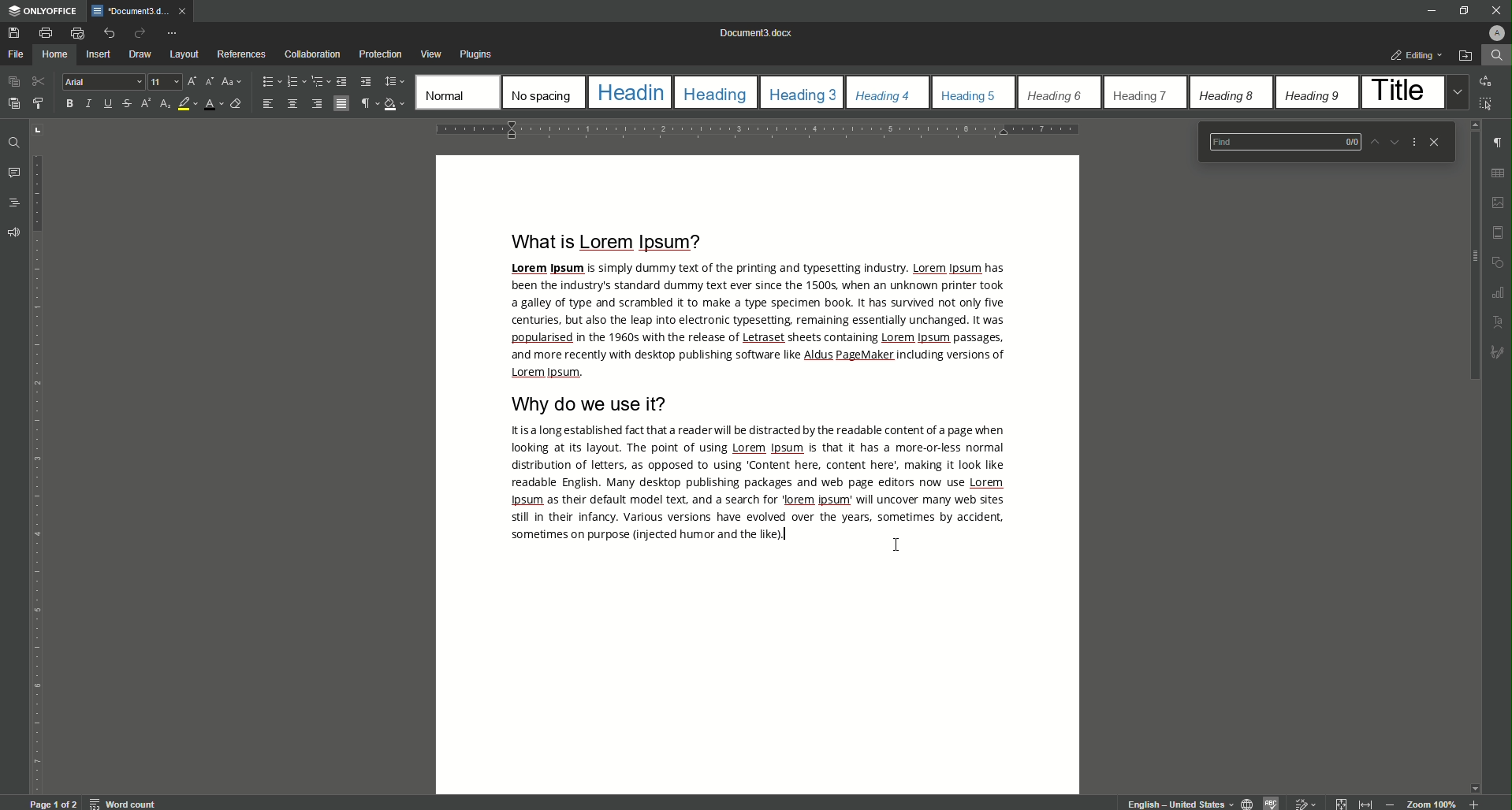 This screenshot has width=1512, height=810. Describe the element at coordinates (1412, 142) in the screenshot. I see `More Actions` at that location.